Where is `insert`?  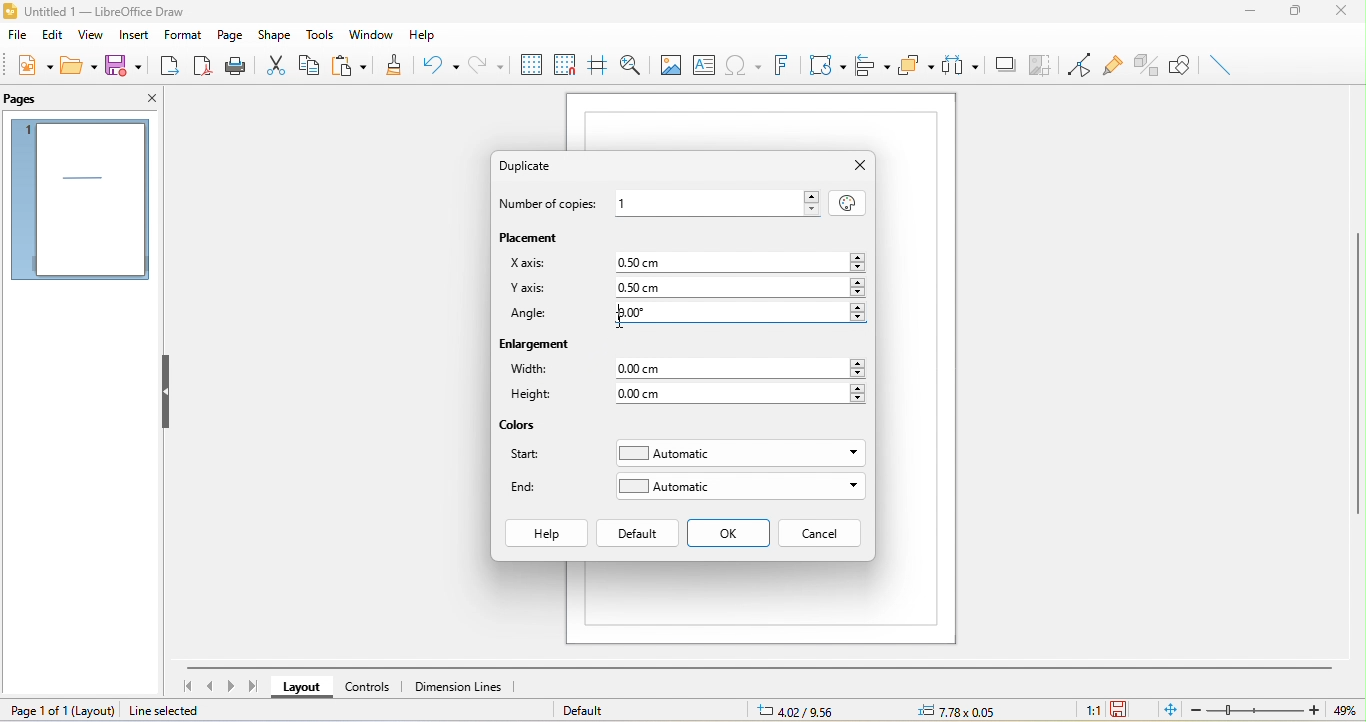
insert is located at coordinates (130, 37).